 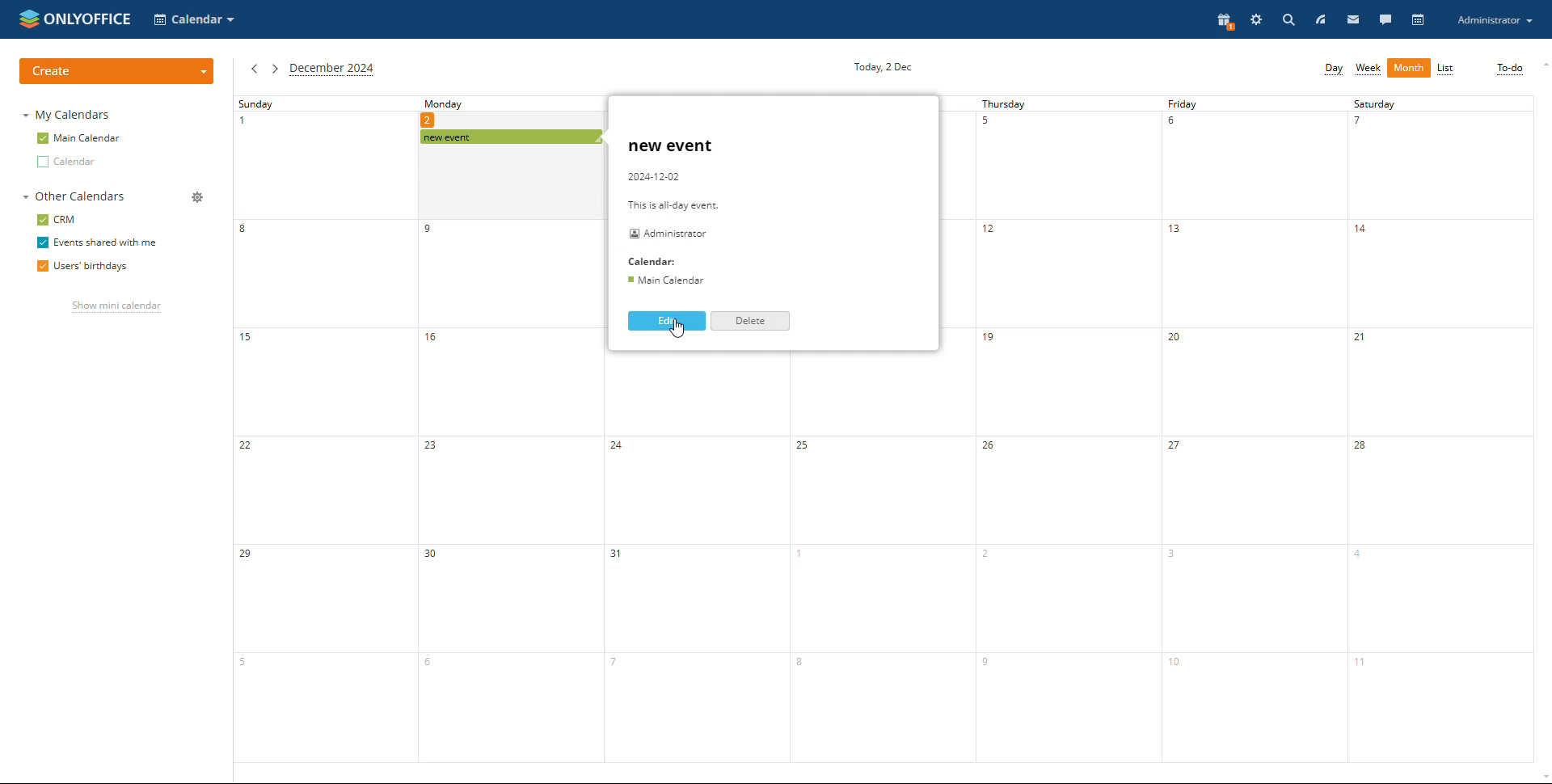 I want to click on delete, so click(x=750, y=322).